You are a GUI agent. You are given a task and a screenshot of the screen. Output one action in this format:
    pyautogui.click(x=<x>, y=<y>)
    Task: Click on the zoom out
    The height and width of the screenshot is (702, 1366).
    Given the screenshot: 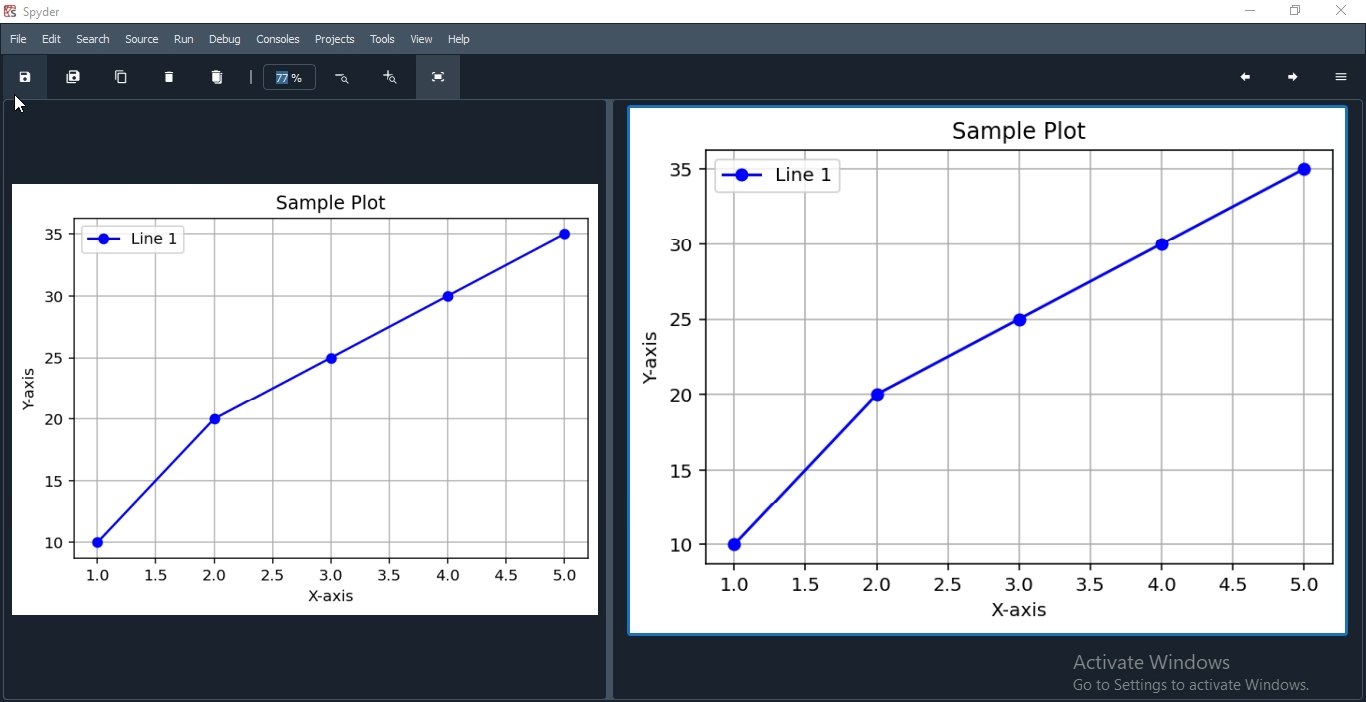 What is the action you would take?
    pyautogui.click(x=345, y=78)
    